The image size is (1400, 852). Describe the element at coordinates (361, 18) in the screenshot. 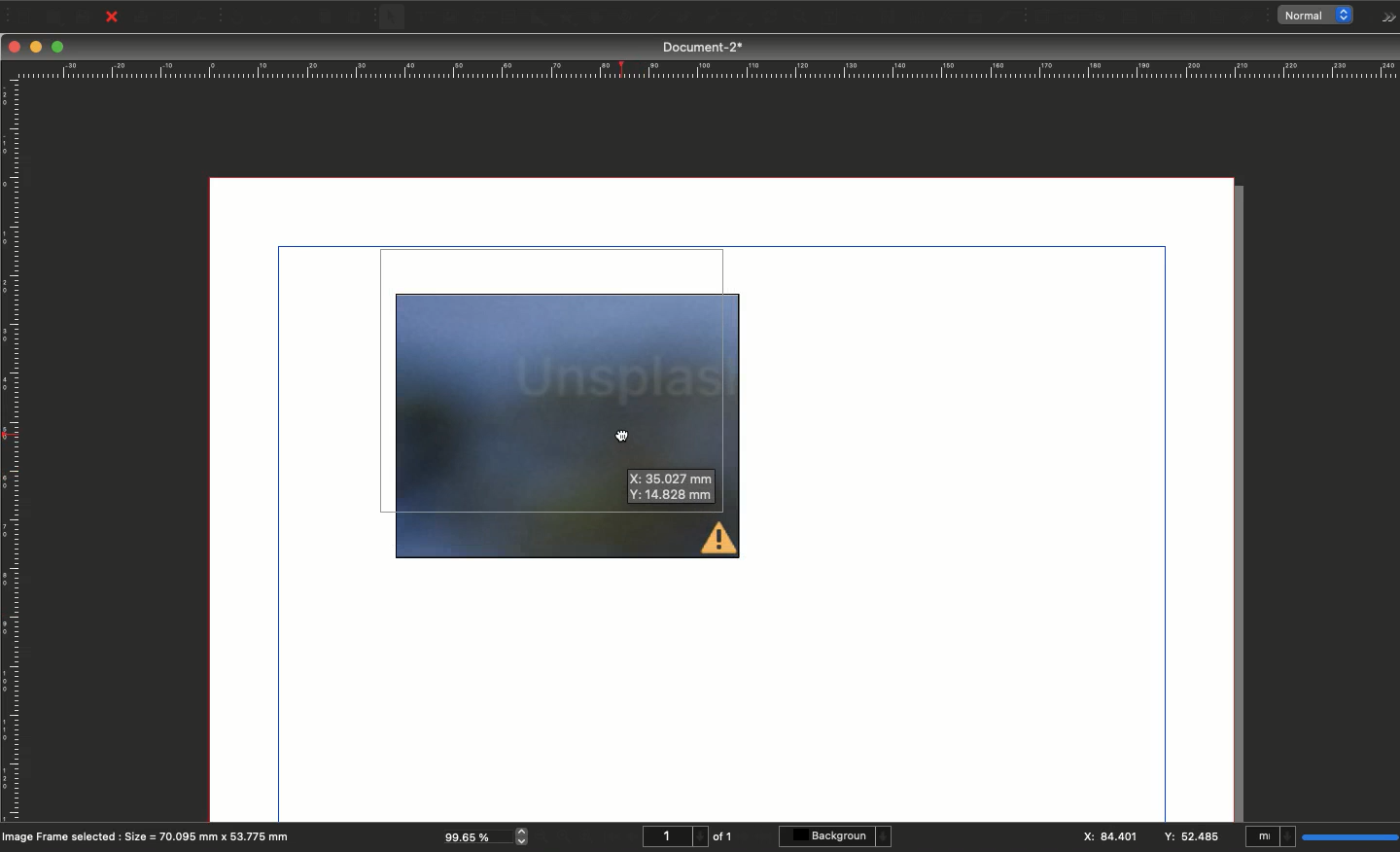

I see `Paste` at that location.